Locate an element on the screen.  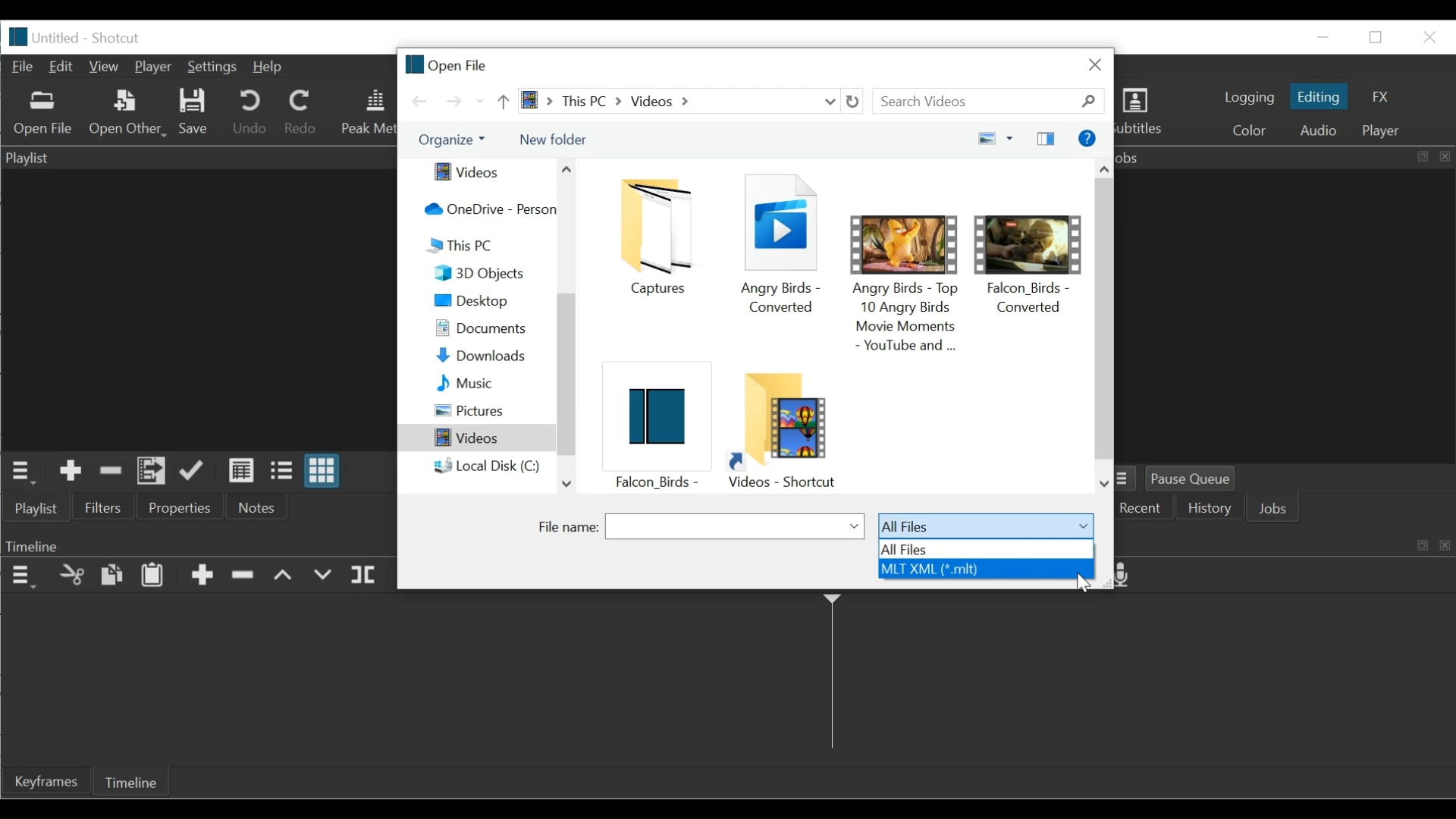
Timeline cursor is located at coordinates (831, 676).